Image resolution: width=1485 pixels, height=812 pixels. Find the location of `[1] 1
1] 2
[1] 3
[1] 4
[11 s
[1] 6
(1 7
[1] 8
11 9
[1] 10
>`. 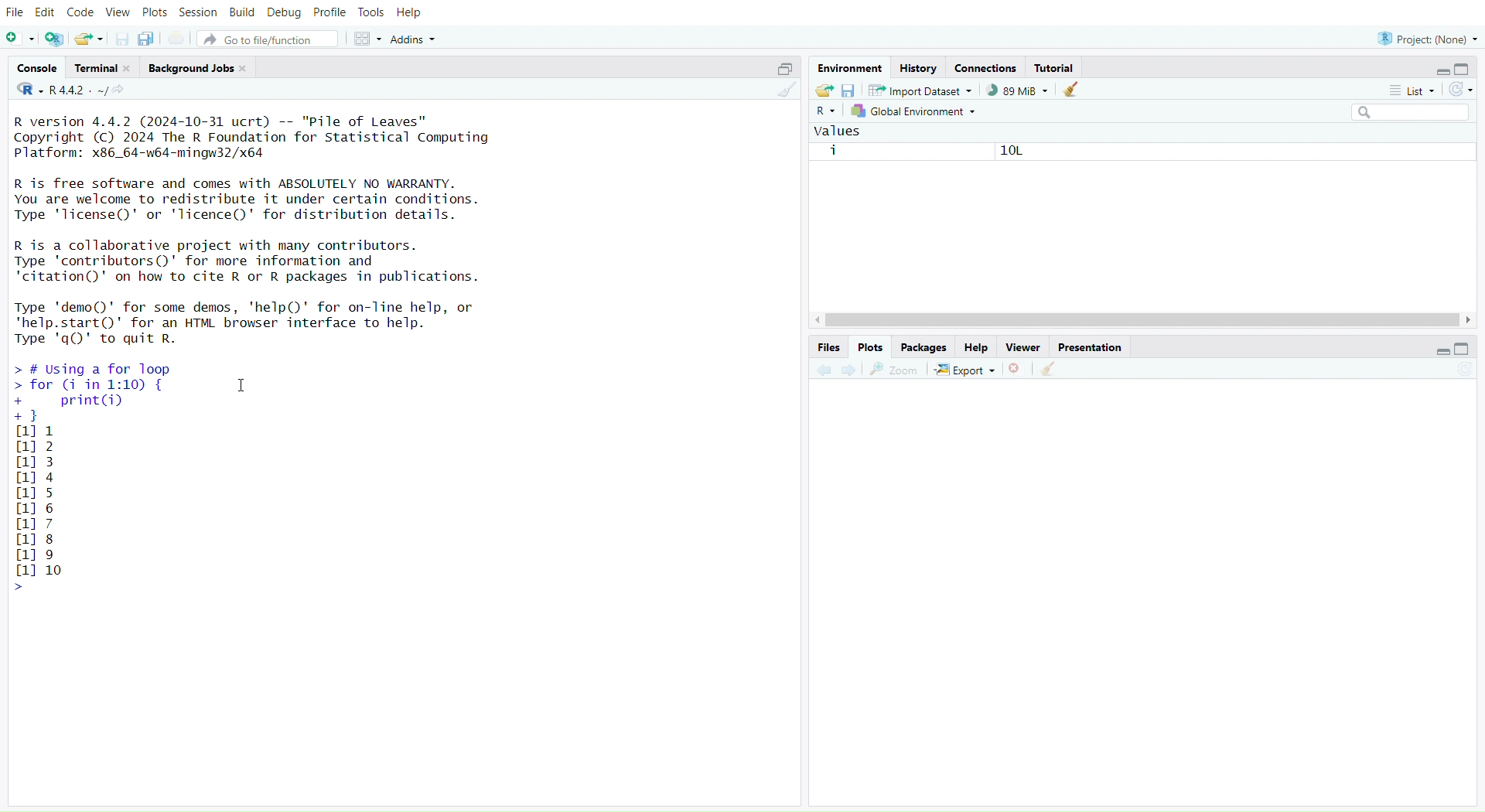

[1] 1
1] 2
[1] 3
[1] 4
[11 s
[1] 6
(1 7
[1] 8
11 9
[1] 10
> is located at coordinates (45, 510).